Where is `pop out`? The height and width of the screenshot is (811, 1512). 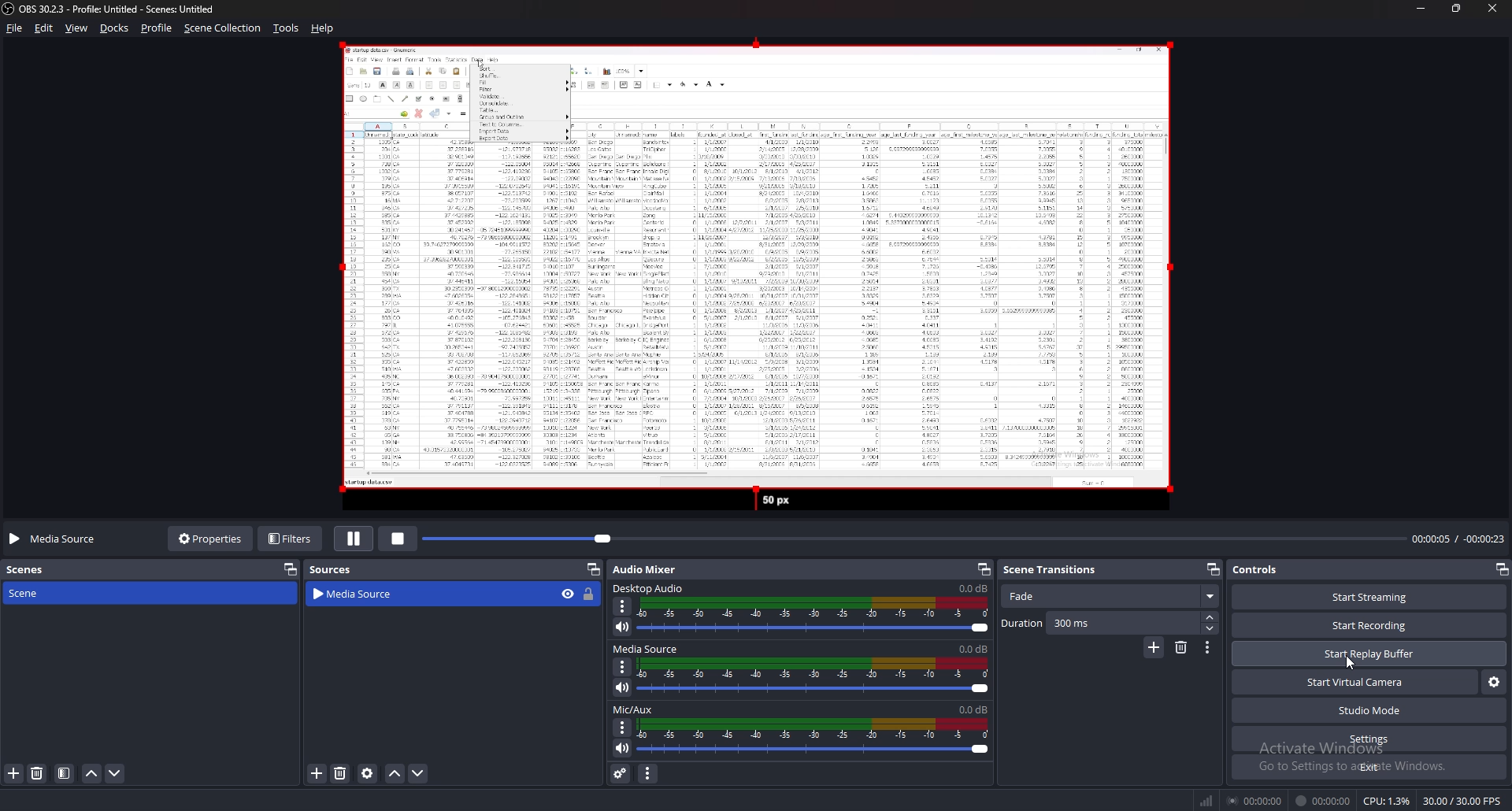
pop out is located at coordinates (1214, 568).